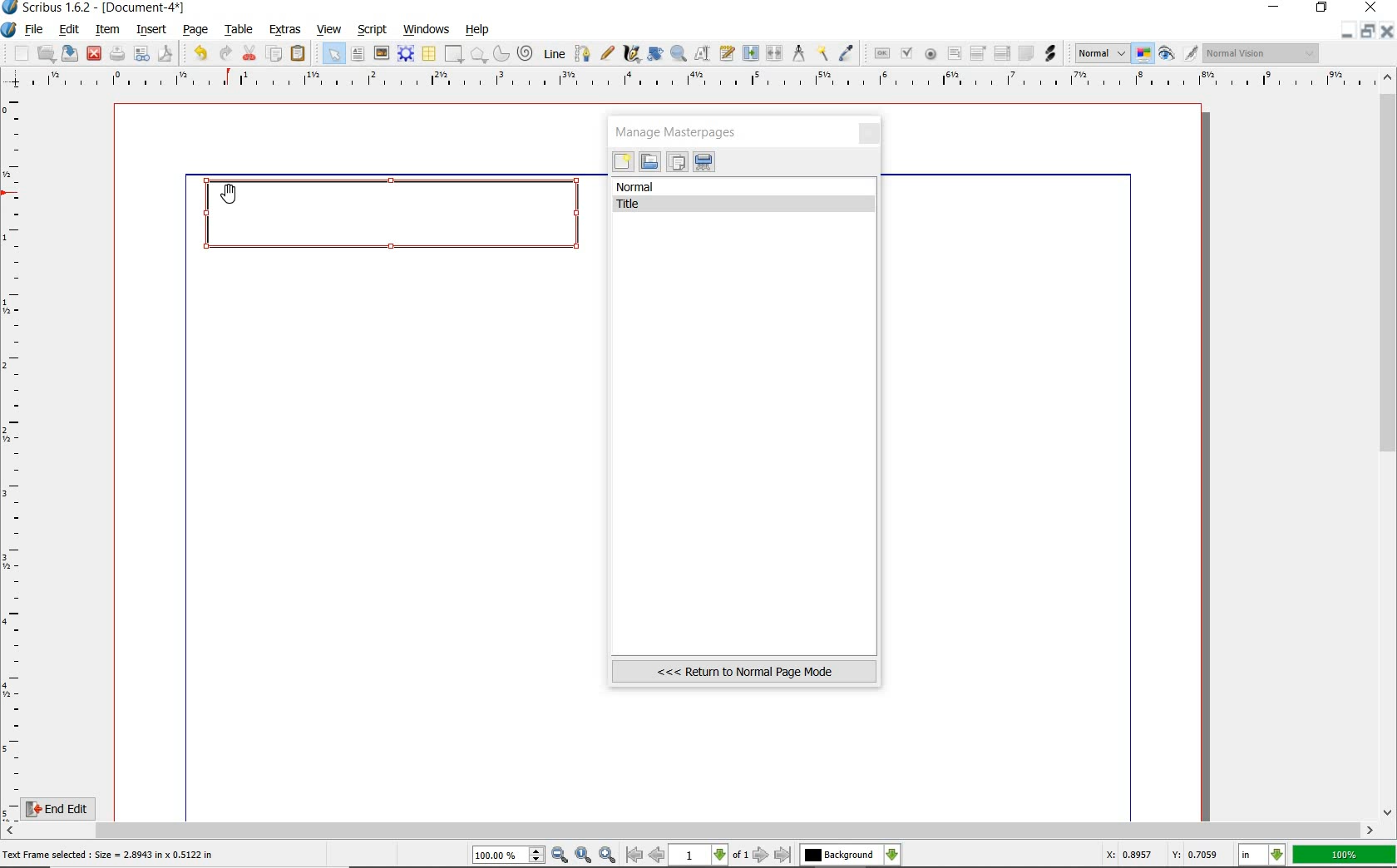  I want to click on pdf text field, so click(954, 54).